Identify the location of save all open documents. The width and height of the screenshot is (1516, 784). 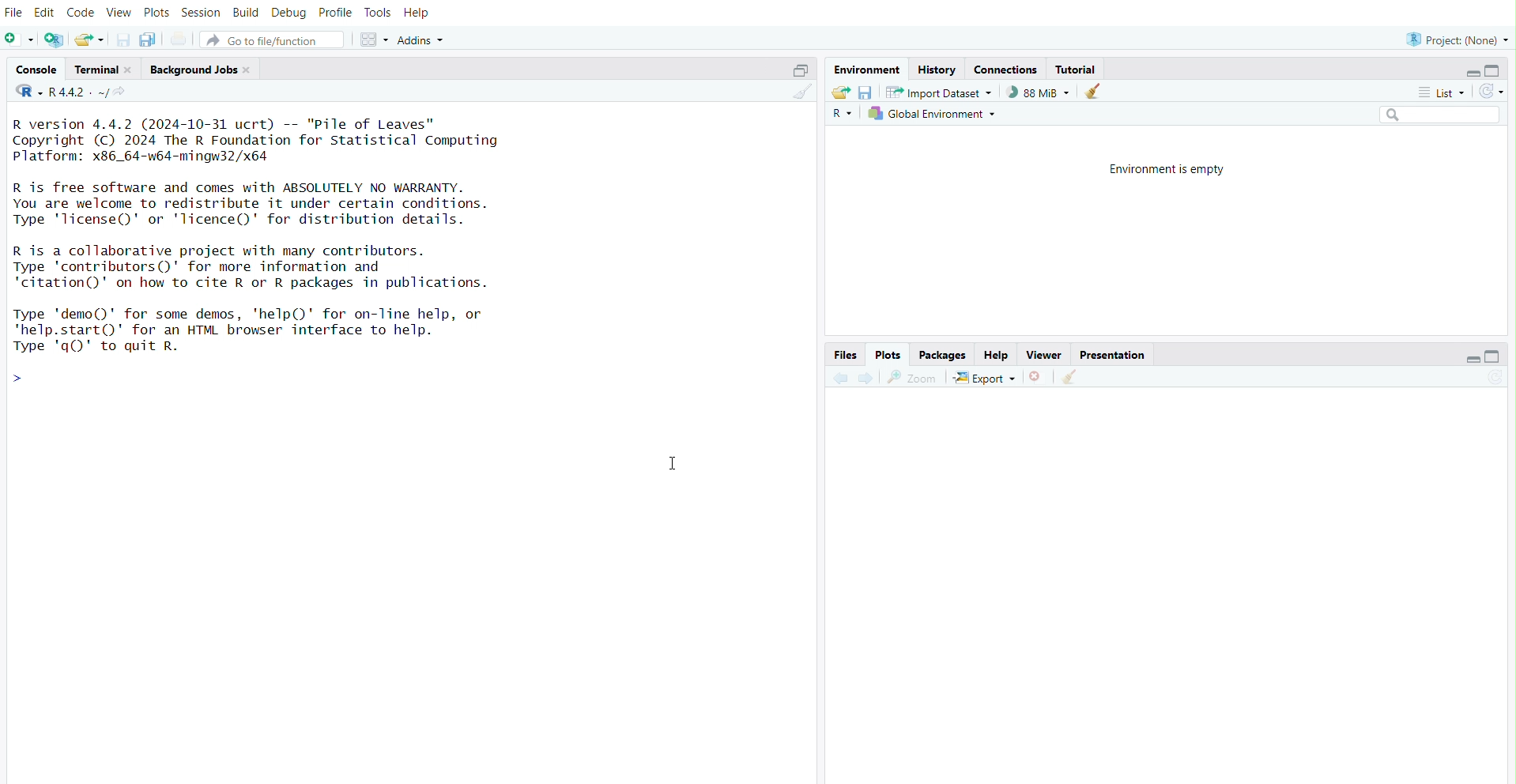
(151, 40).